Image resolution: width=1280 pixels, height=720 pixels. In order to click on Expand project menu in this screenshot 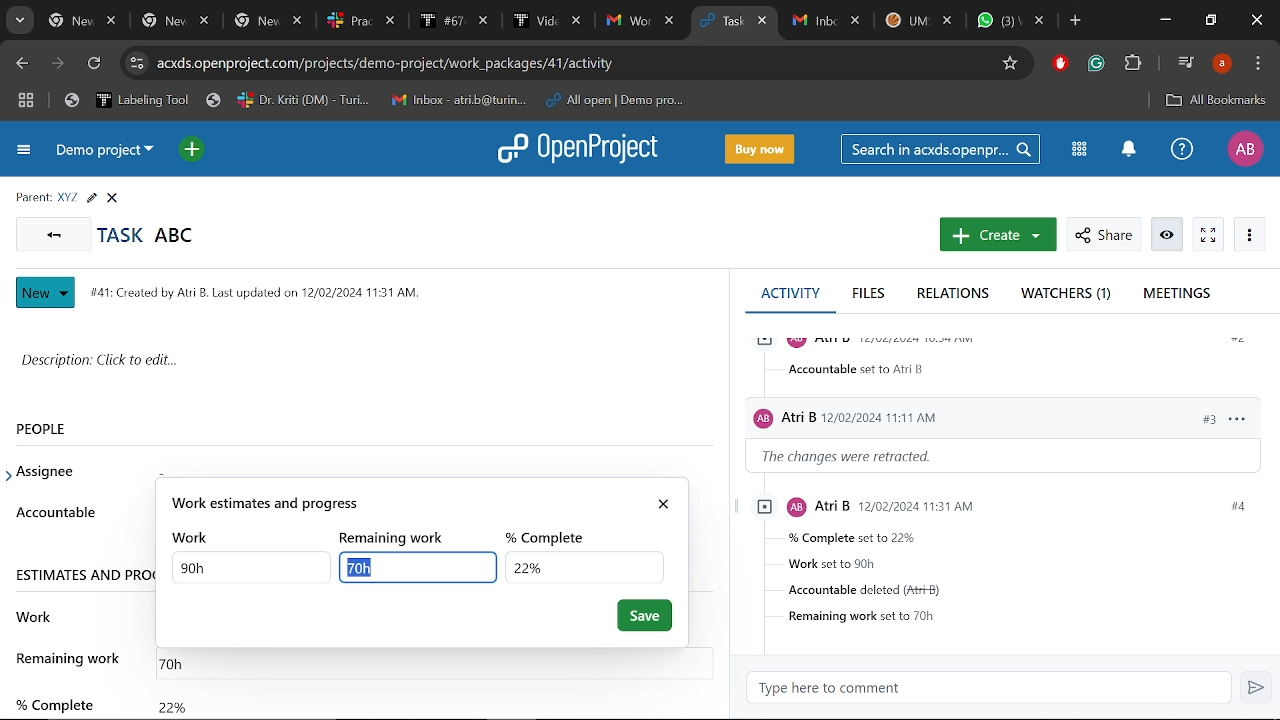, I will do `click(22, 152)`.